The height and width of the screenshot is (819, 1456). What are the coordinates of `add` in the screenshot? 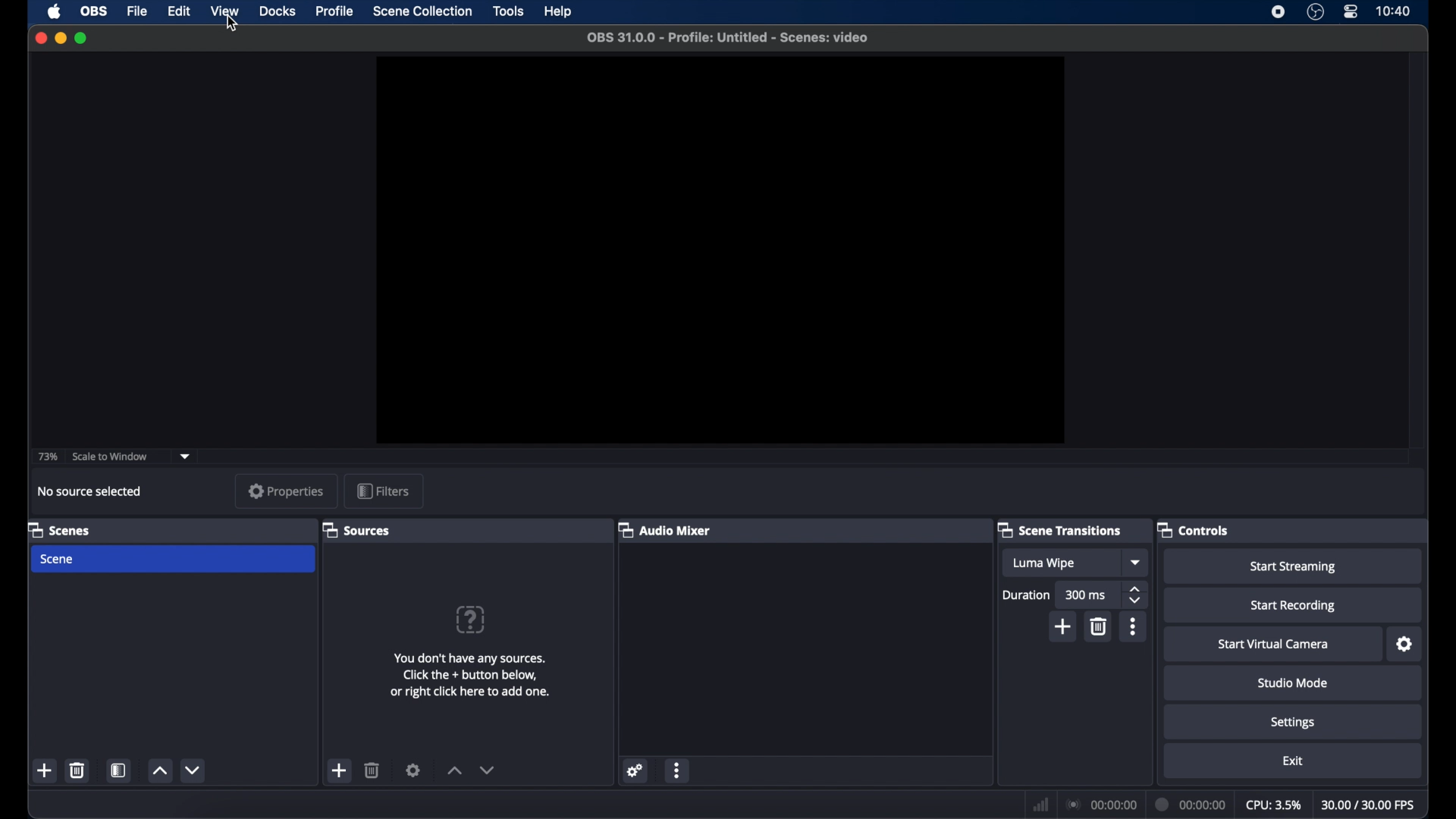 It's located at (340, 770).